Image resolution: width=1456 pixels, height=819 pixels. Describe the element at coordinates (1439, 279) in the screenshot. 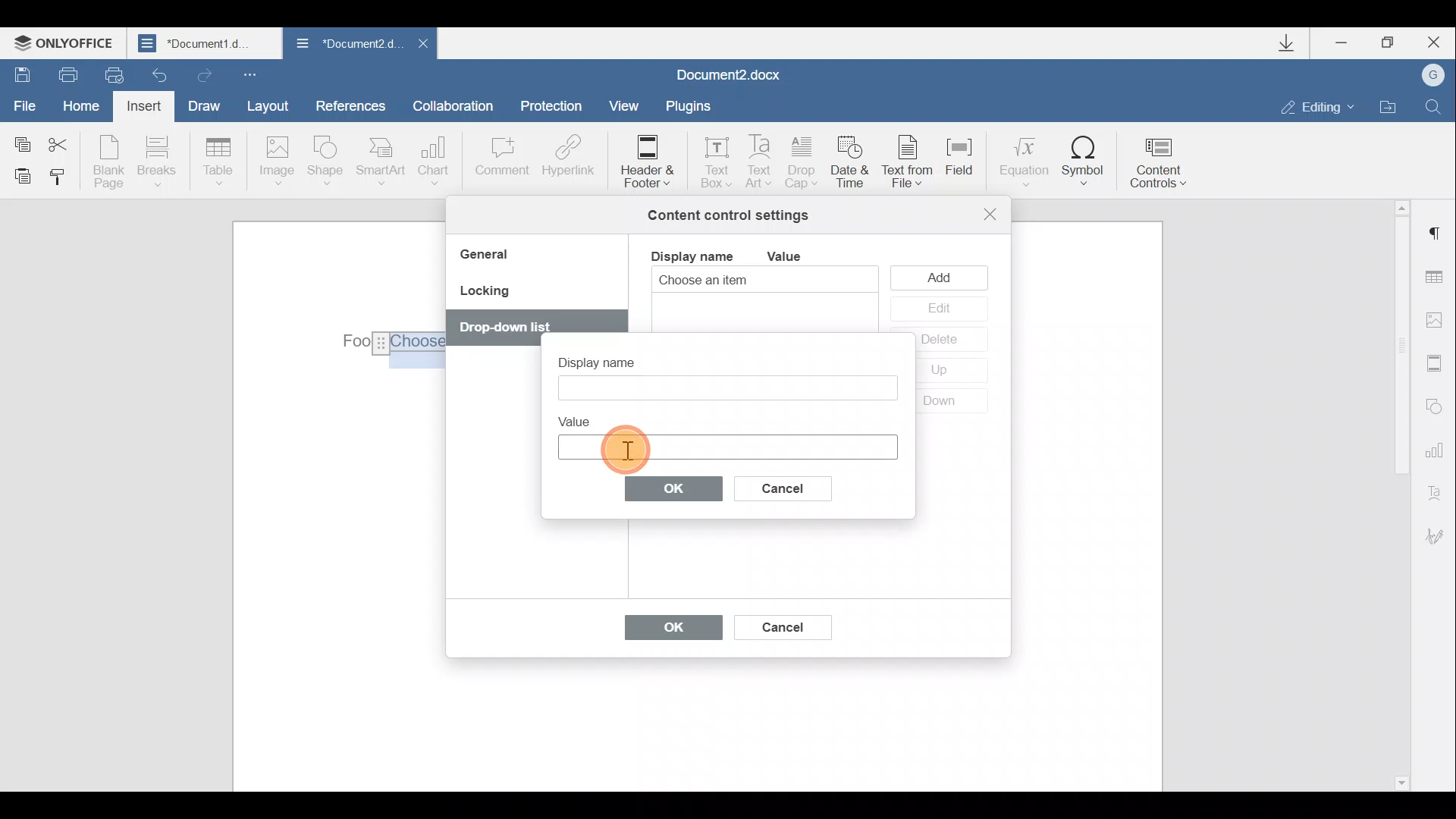

I see `Table settings` at that location.